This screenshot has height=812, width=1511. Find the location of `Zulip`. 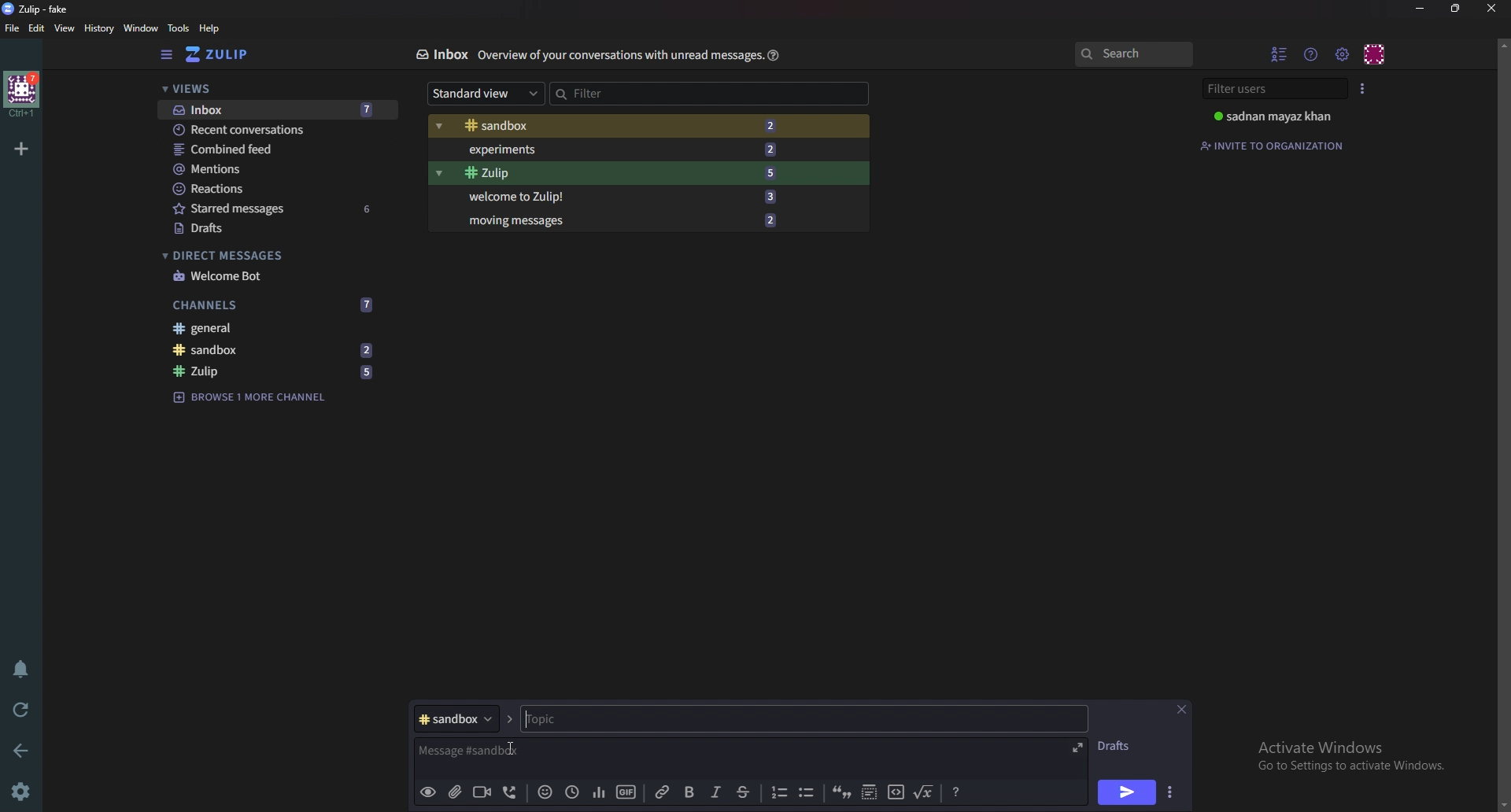

Zulip is located at coordinates (618, 173).